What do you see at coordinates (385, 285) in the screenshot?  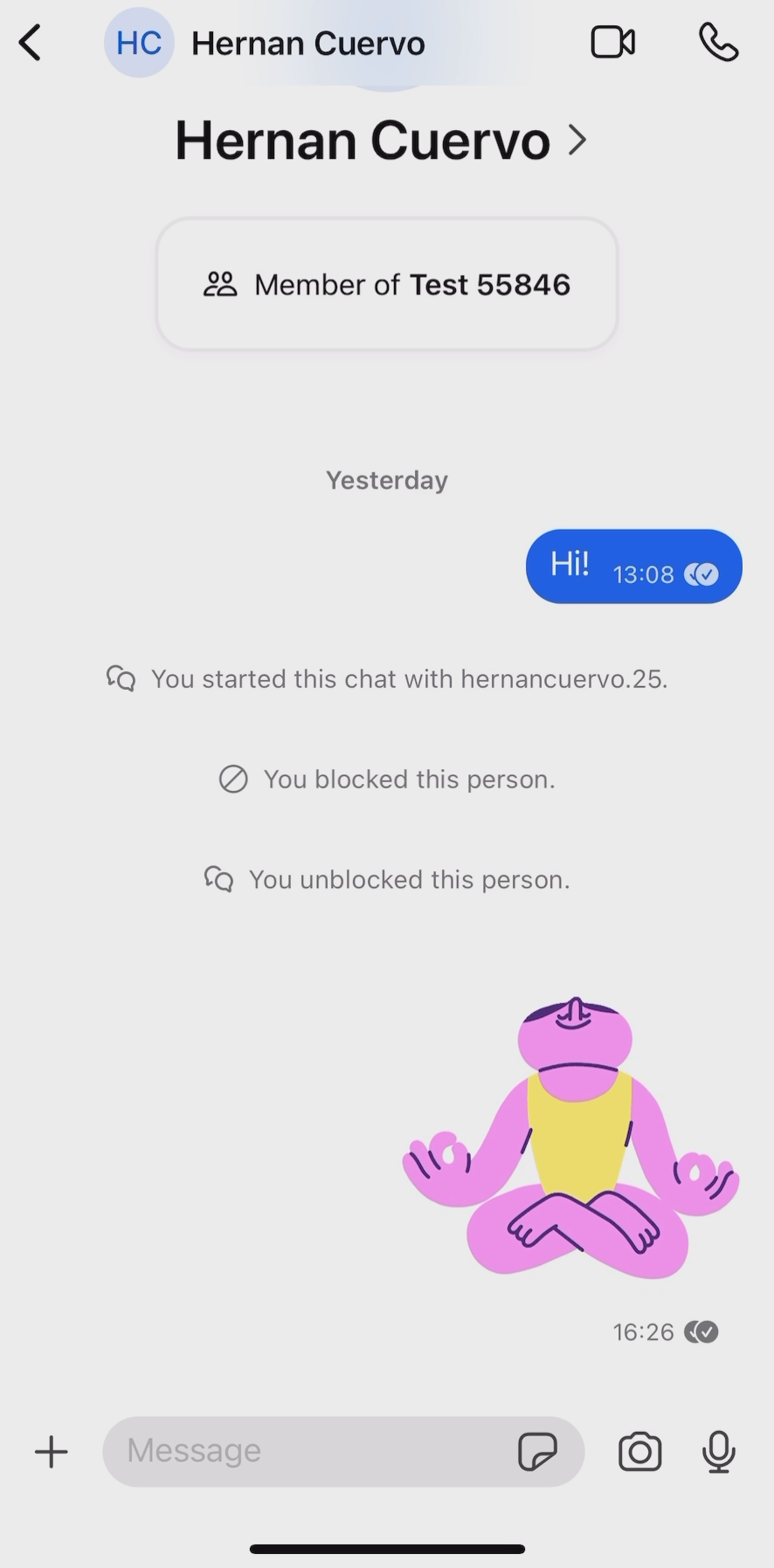 I see `Member of the test group` at bounding box center [385, 285].